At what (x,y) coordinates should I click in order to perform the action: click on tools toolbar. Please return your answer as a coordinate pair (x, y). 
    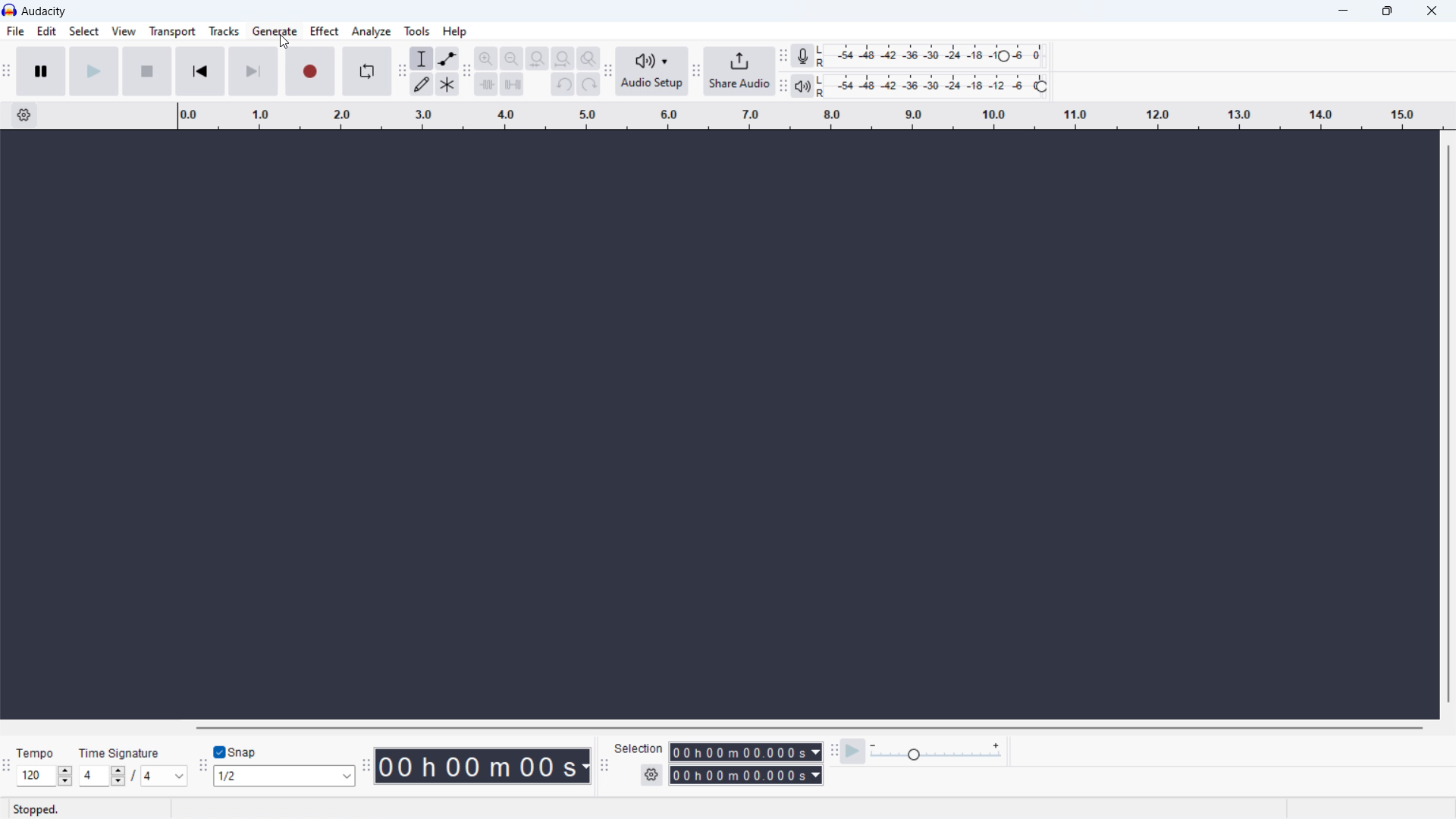
    Looking at the image, I should click on (402, 74).